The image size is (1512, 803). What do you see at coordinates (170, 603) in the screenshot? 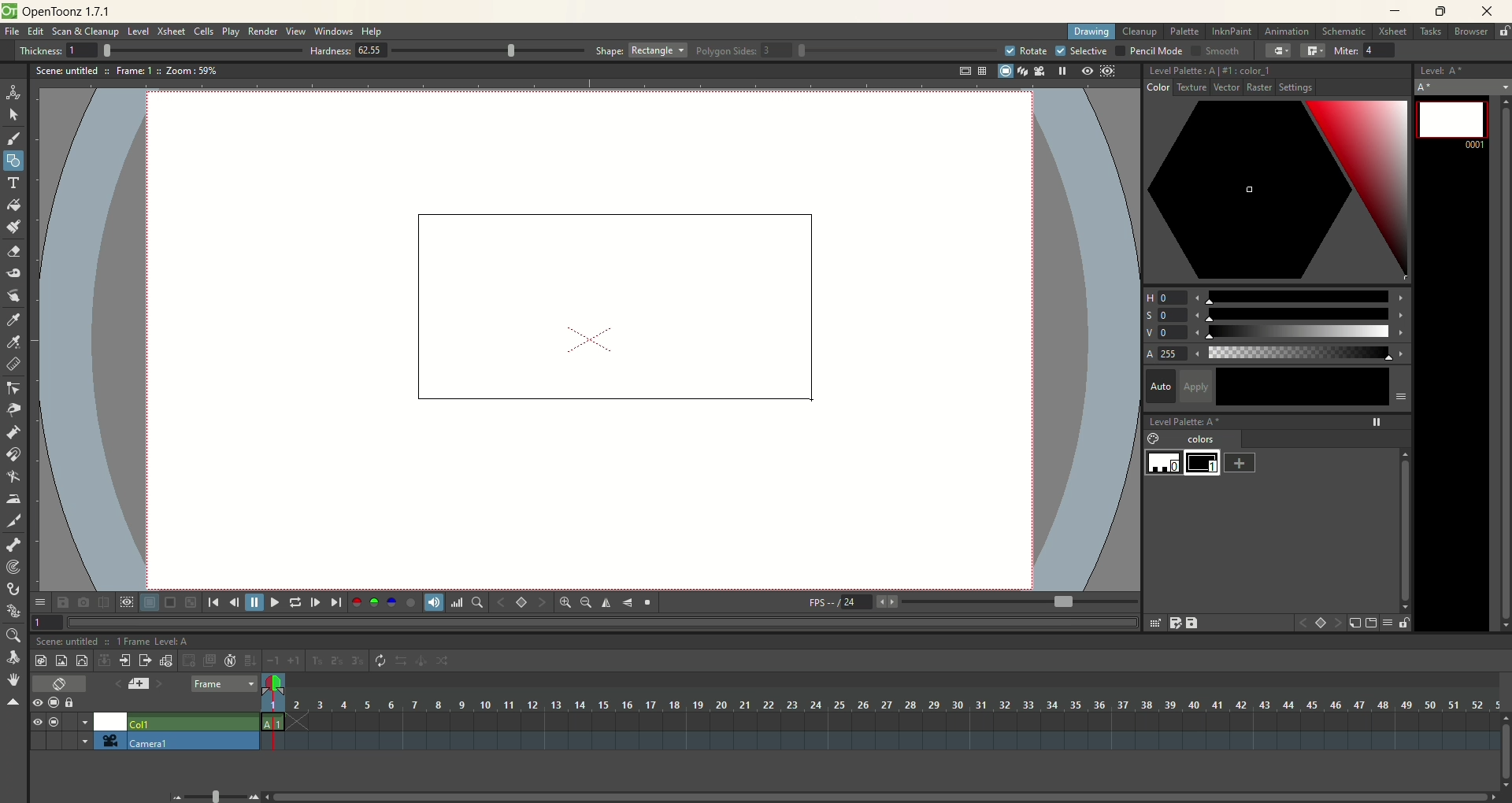
I see `black background` at bounding box center [170, 603].